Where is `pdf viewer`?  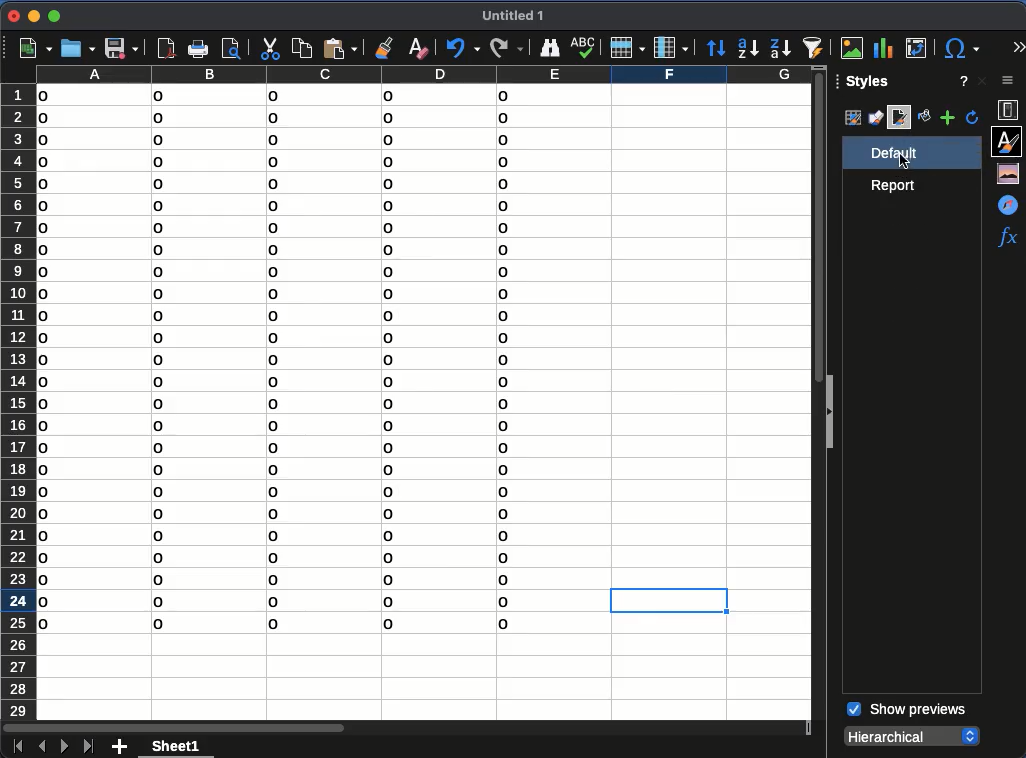 pdf viewer is located at coordinates (166, 48).